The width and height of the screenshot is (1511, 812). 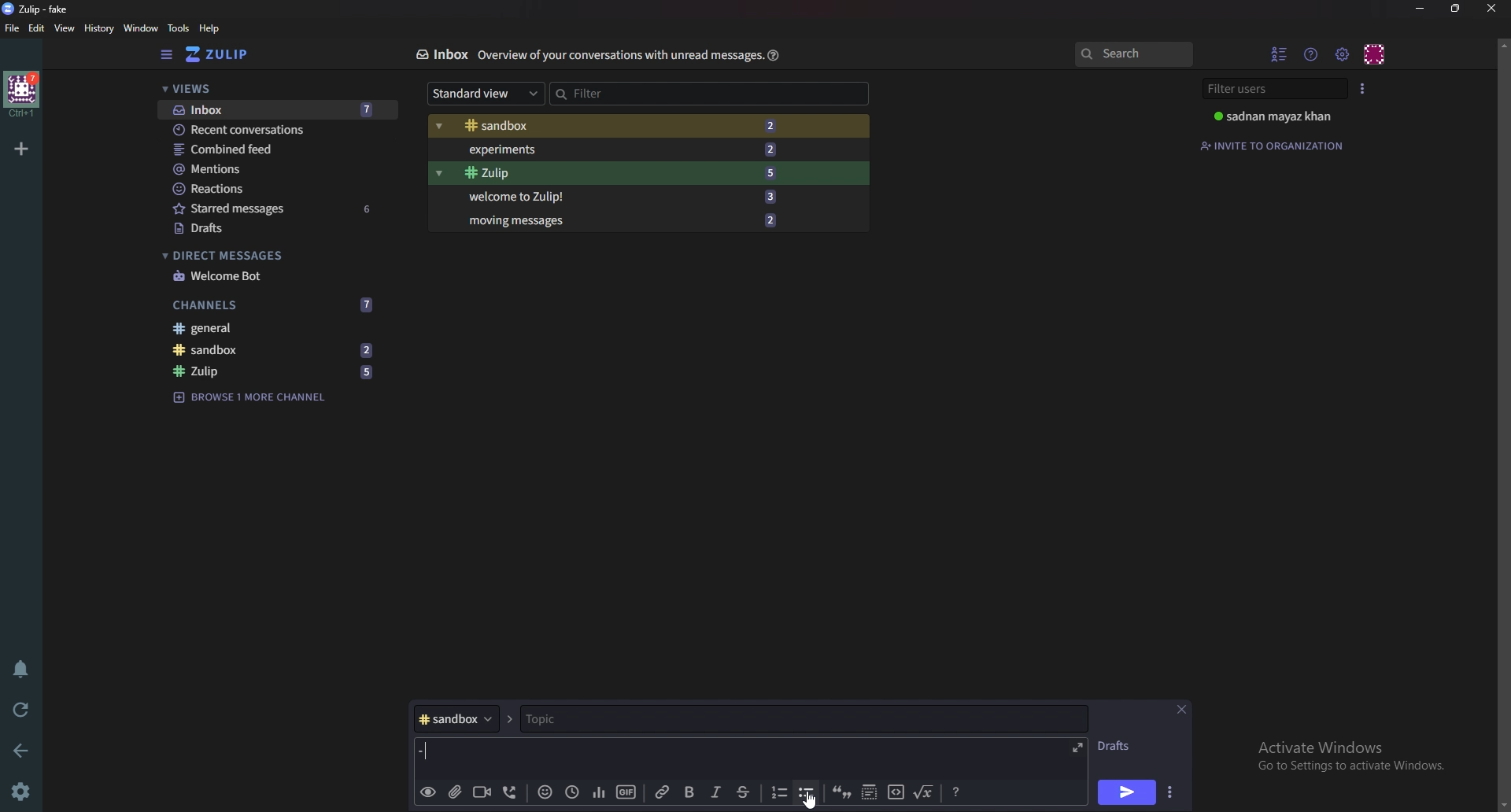 What do you see at coordinates (743, 792) in the screenshot?
I see `Strike through` at bounding box center [743, 792].